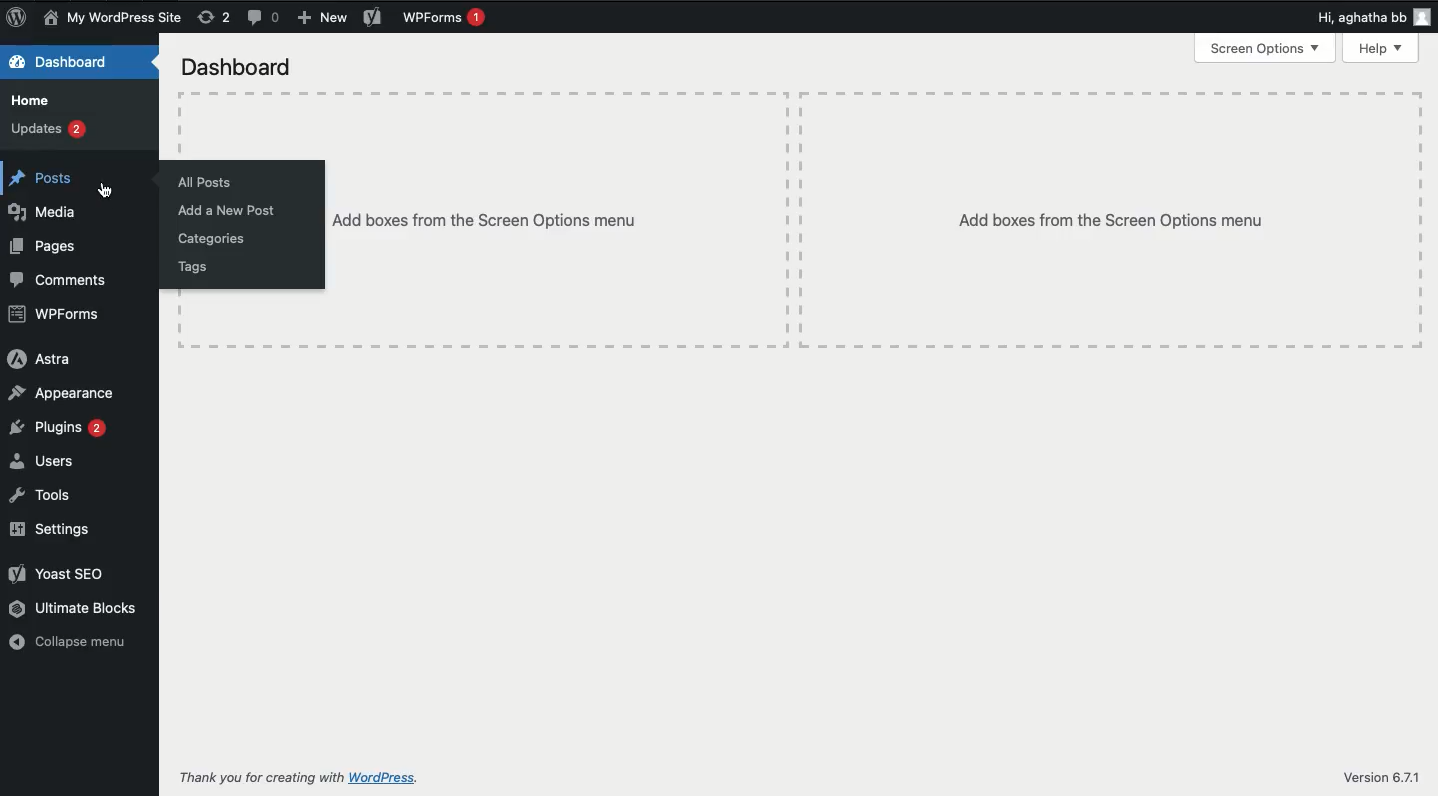 Image resolution: width=1438 pixels, height=796 pixels. Describe the element at coordinates (43, 461) in the screenshot. I see `Users` at that location.